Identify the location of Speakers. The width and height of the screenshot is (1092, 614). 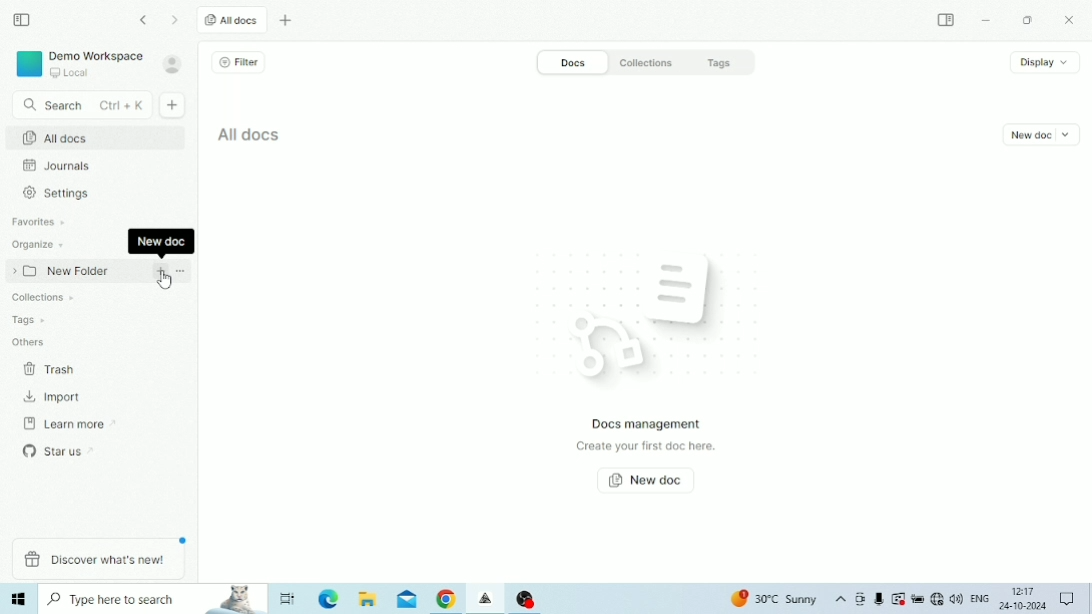
(956, 597).